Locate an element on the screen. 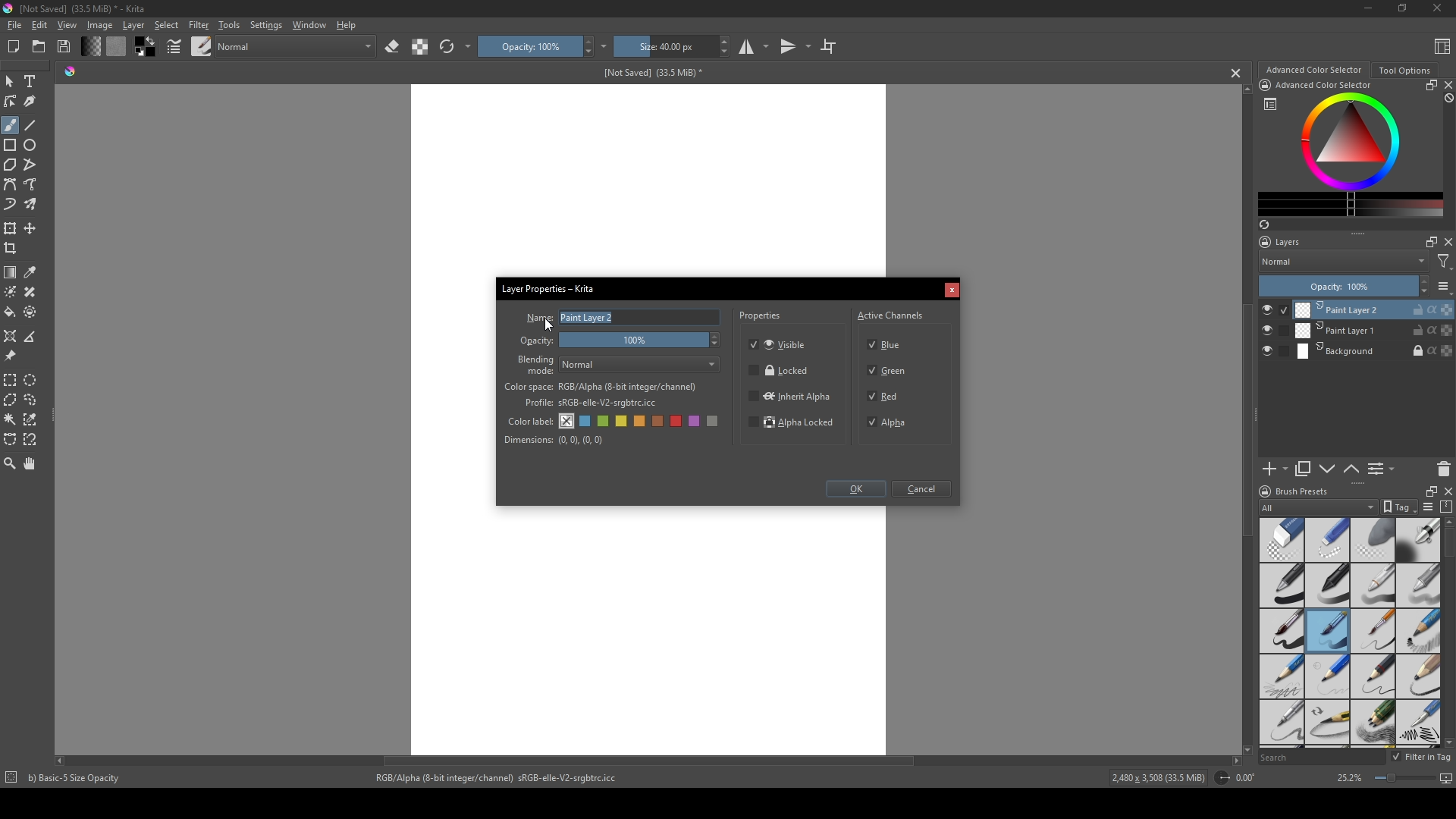 The height and width of the screenshot is (819, 1456). Profile: sRGB-elle-V2-srgbtrc.icc is located at coordinates (591, 403).